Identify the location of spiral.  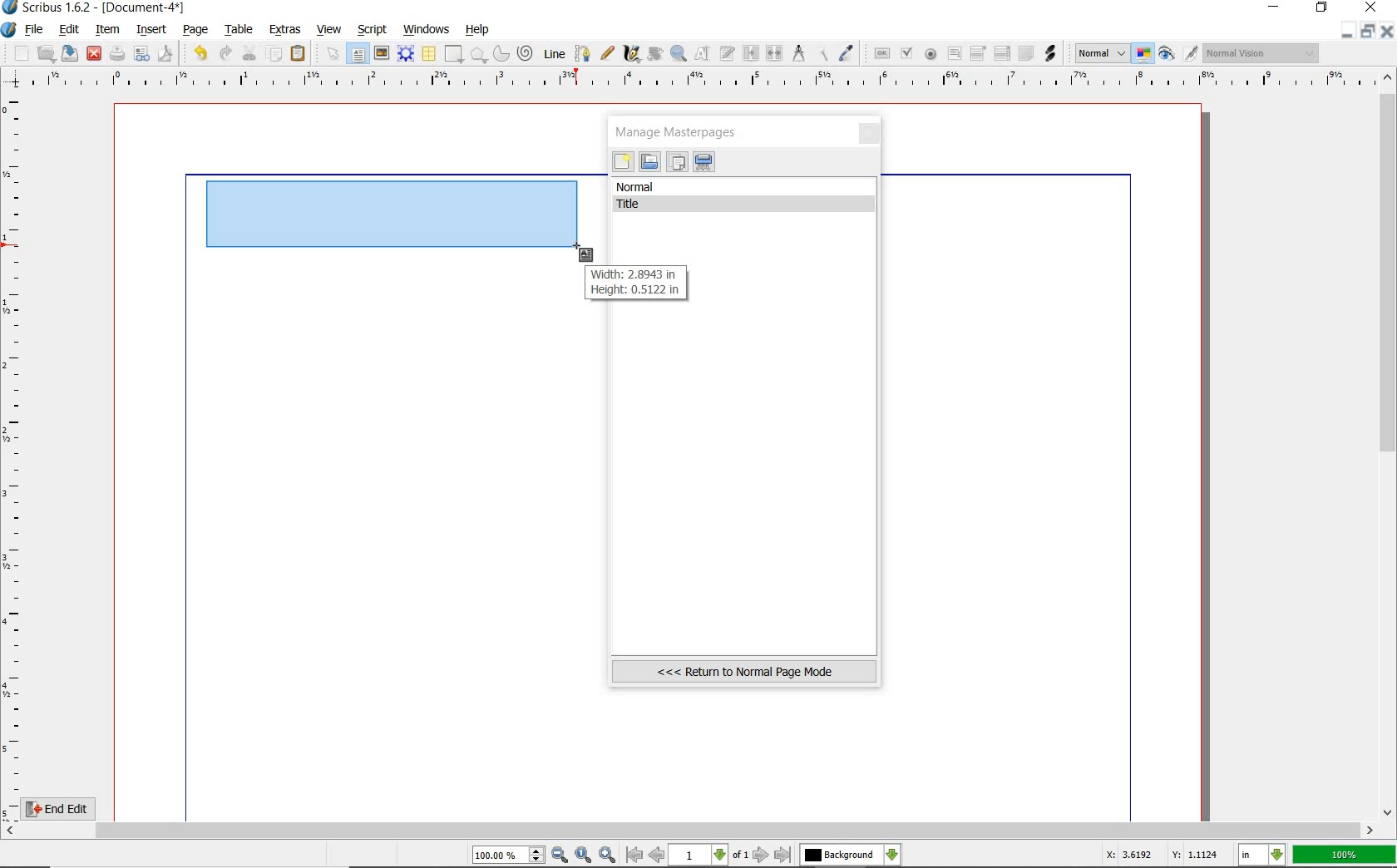
(526, 53).